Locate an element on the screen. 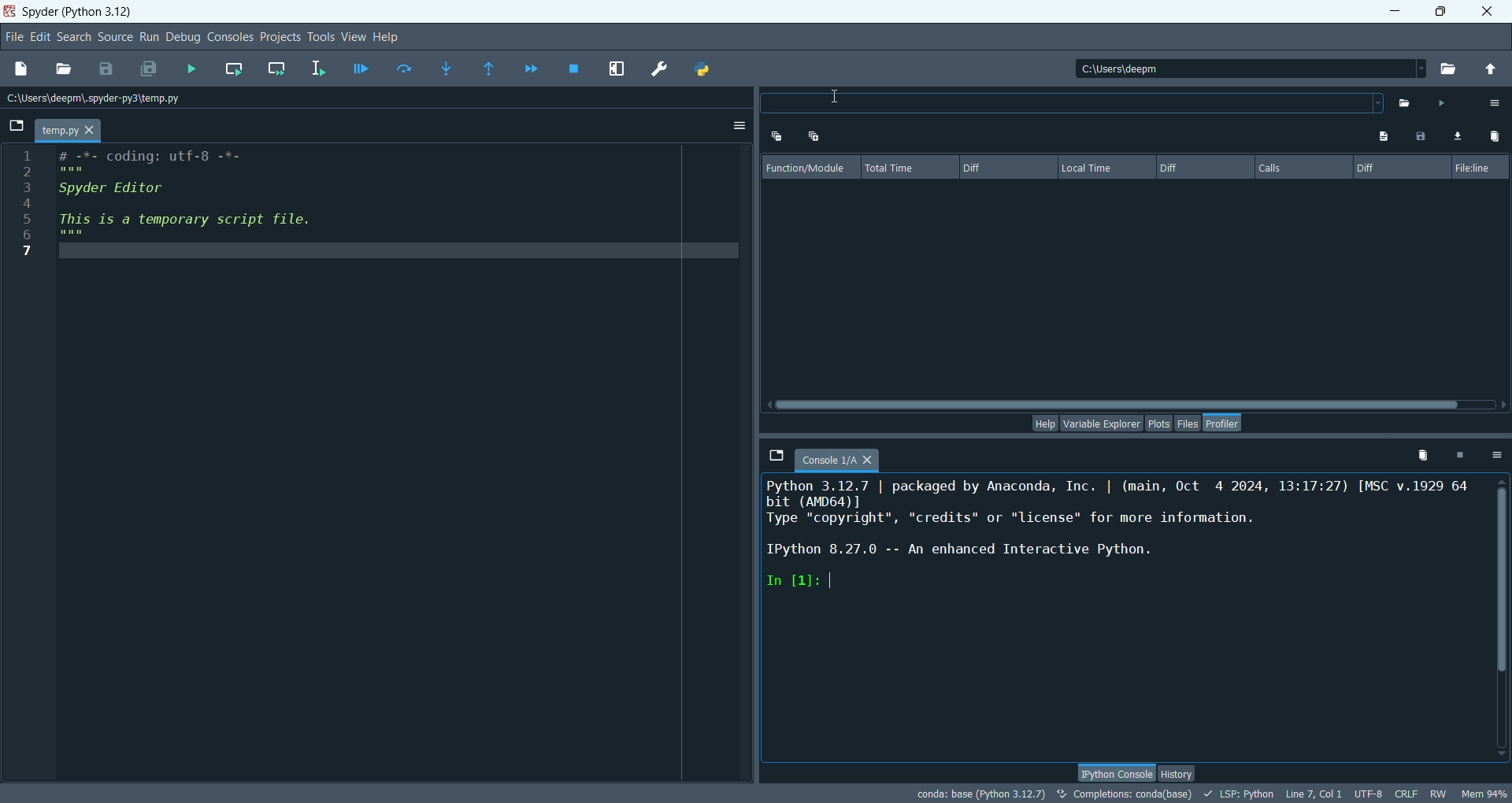 The image size is (1512, 803). RW is located at coordinates (1440, 794).